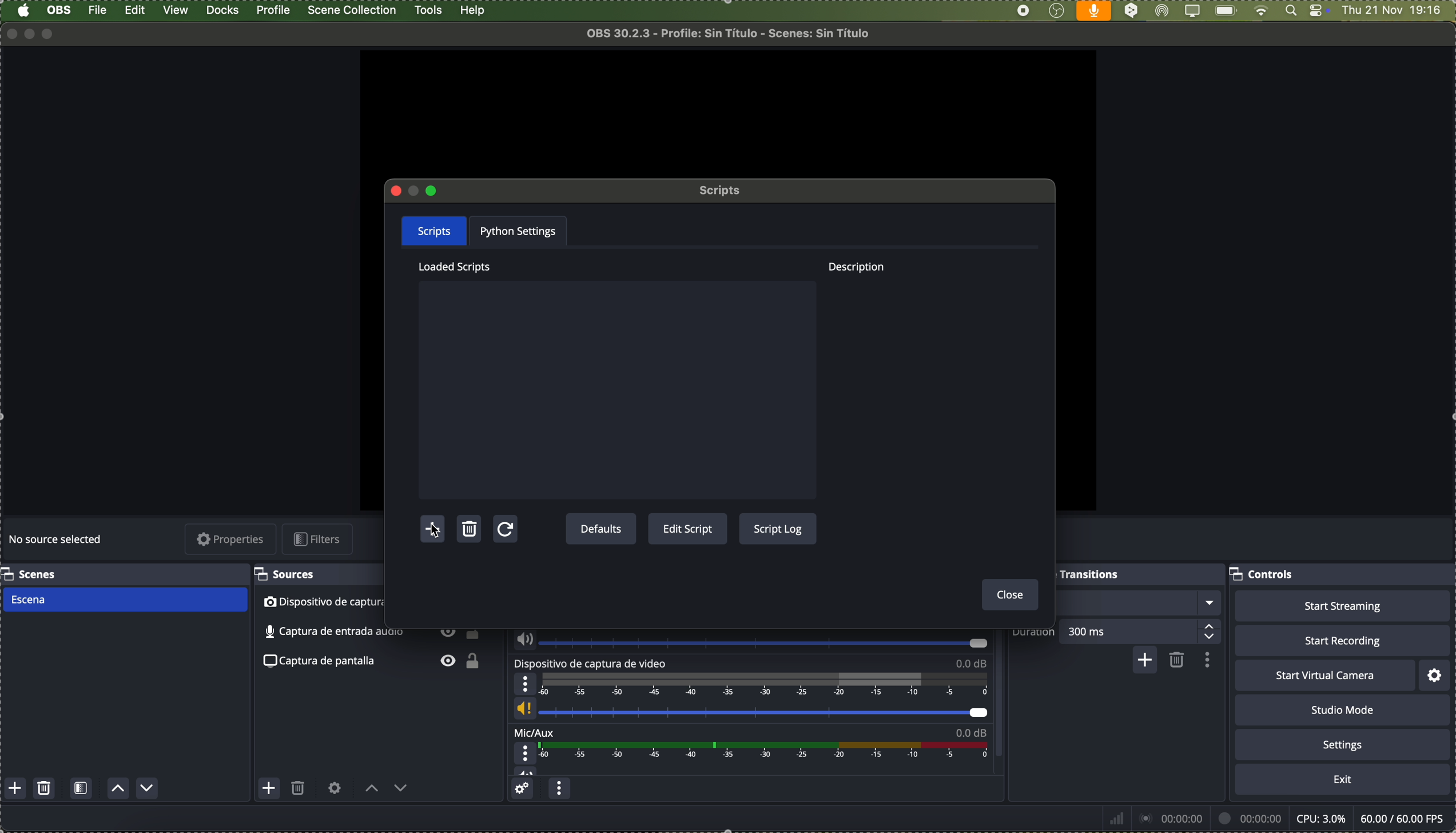 Image resolution: width=1456 pixels, height=833 pixels. I want to click on settings, so click(1436, 675).